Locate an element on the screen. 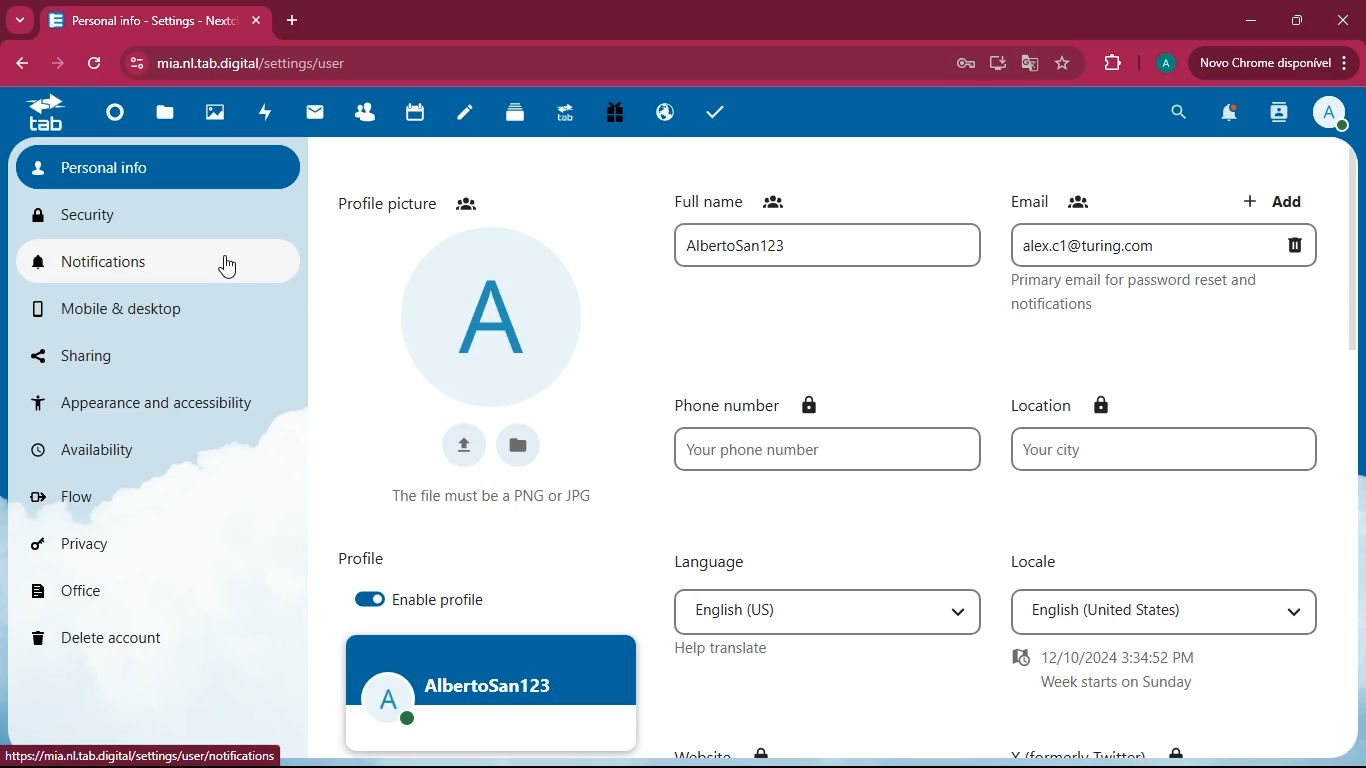  files is located at coordinates (164, 115).